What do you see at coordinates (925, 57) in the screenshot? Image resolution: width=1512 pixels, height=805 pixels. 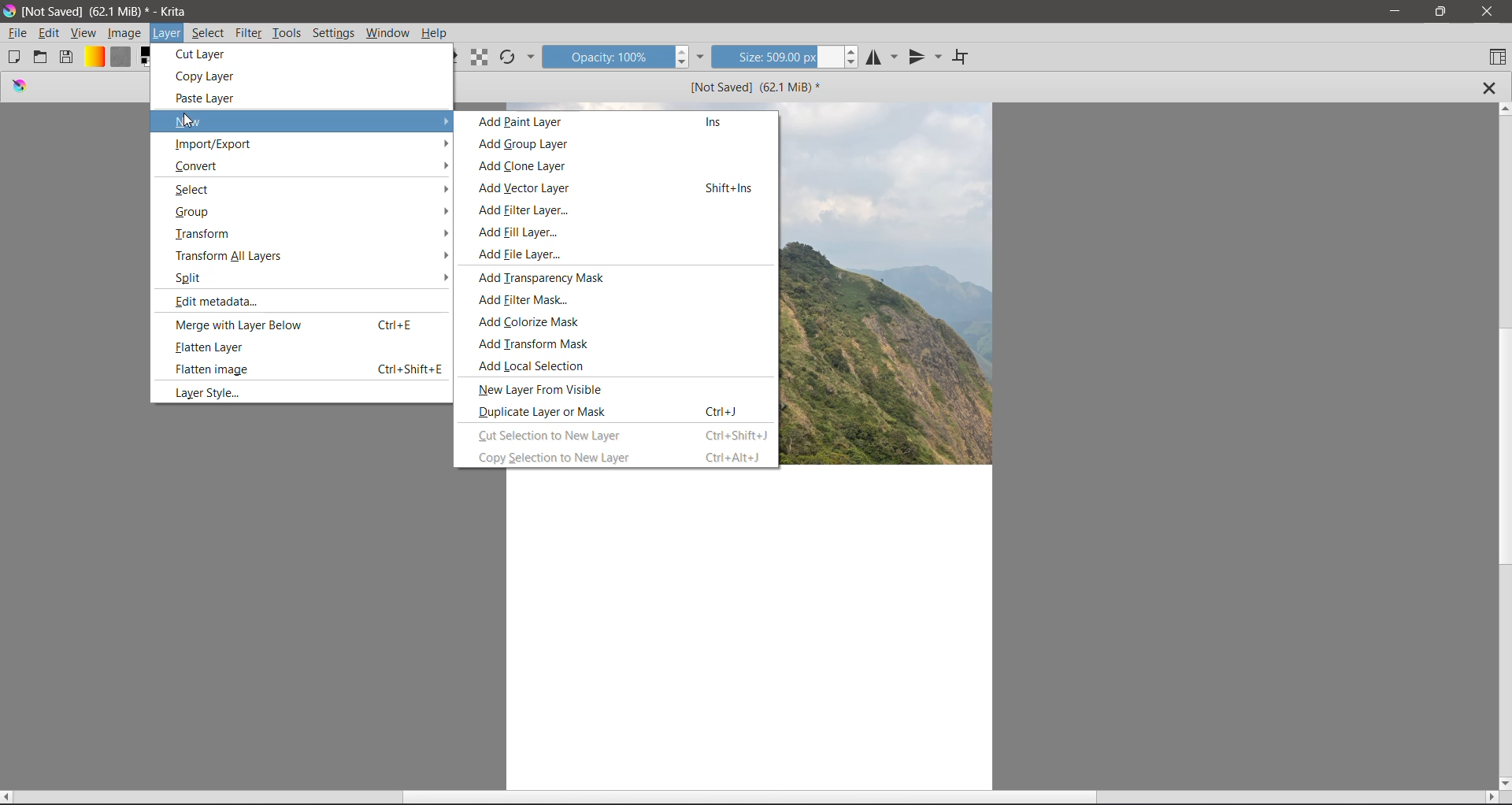 I see `Vertical Mirror Tool` at bounding box center [925, 57].